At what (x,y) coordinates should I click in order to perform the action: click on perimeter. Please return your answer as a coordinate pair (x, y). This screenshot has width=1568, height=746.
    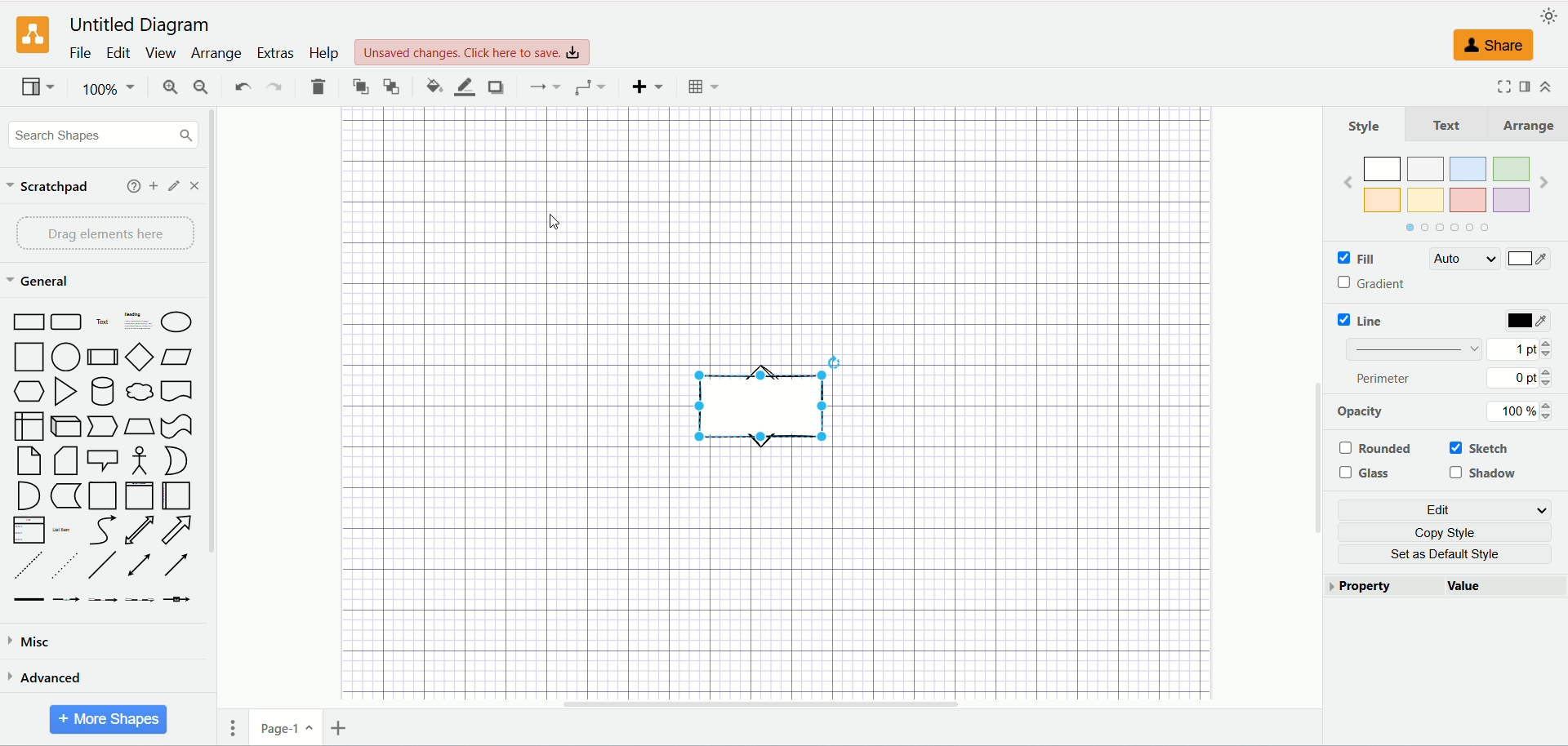
    Looking at the image, I should click on (1385, 380).